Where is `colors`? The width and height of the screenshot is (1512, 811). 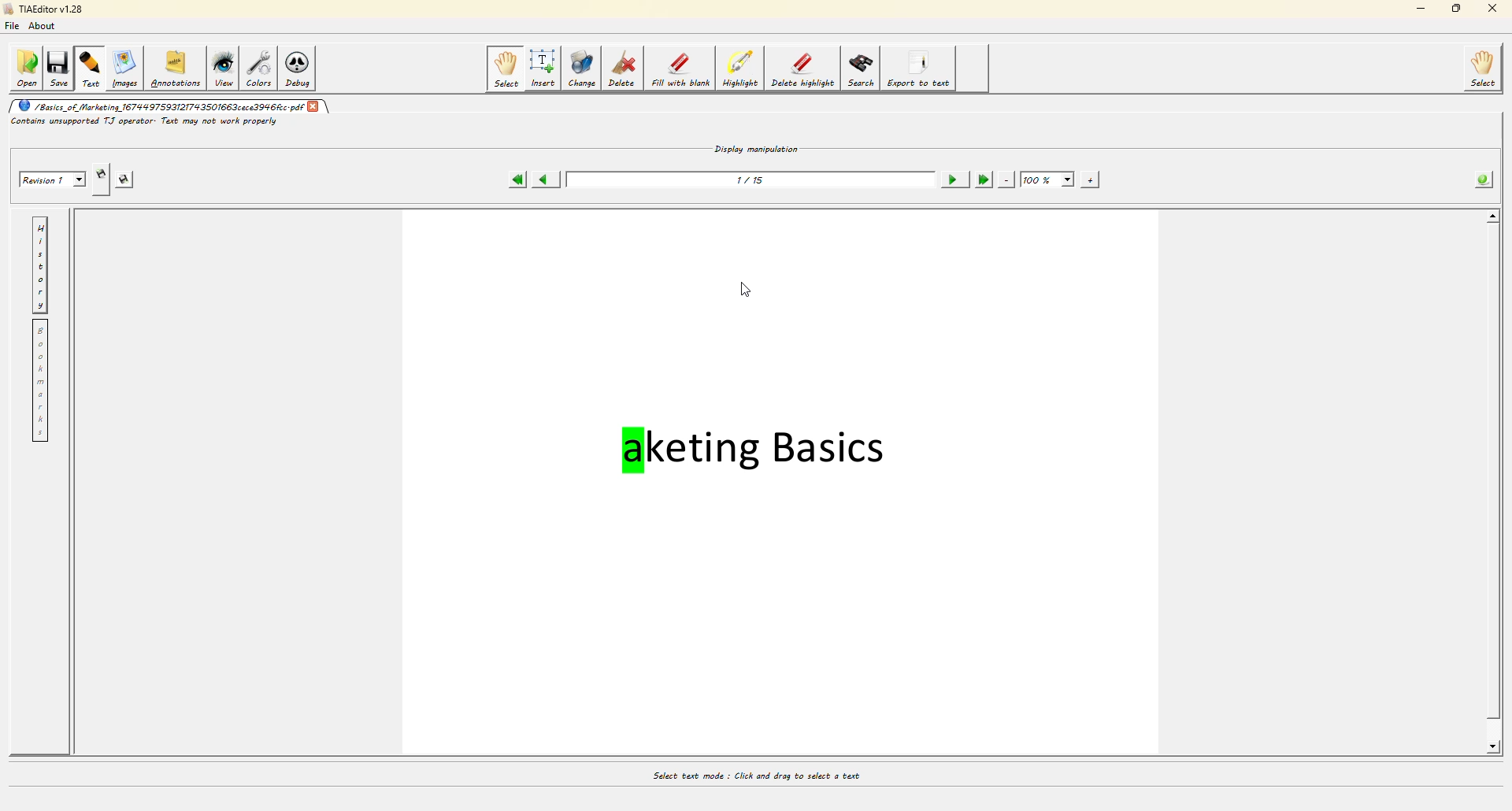 colors is located at coordinates (261, 69).